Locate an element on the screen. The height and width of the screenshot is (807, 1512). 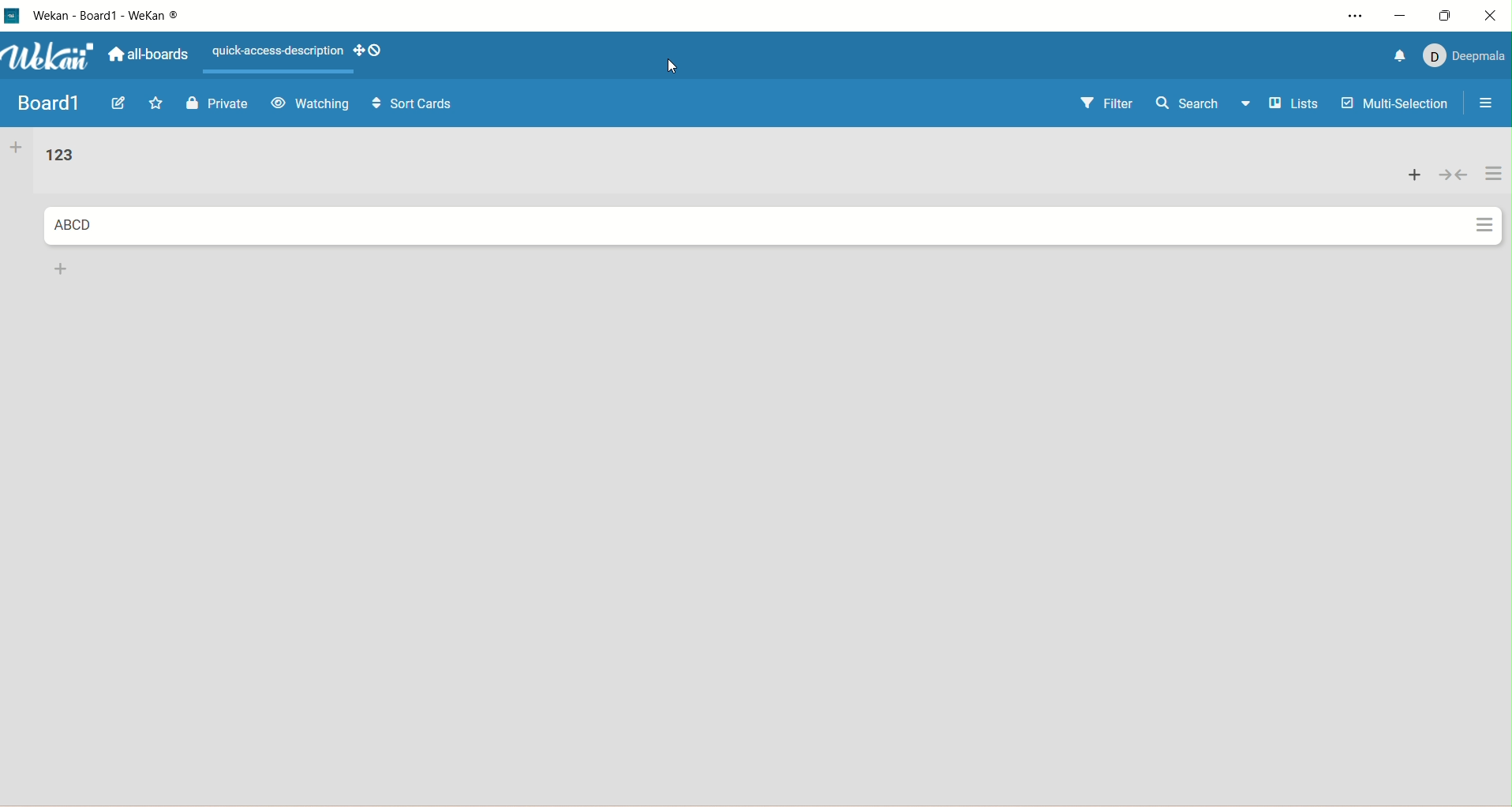
add card is located at coordinates (58, 268).